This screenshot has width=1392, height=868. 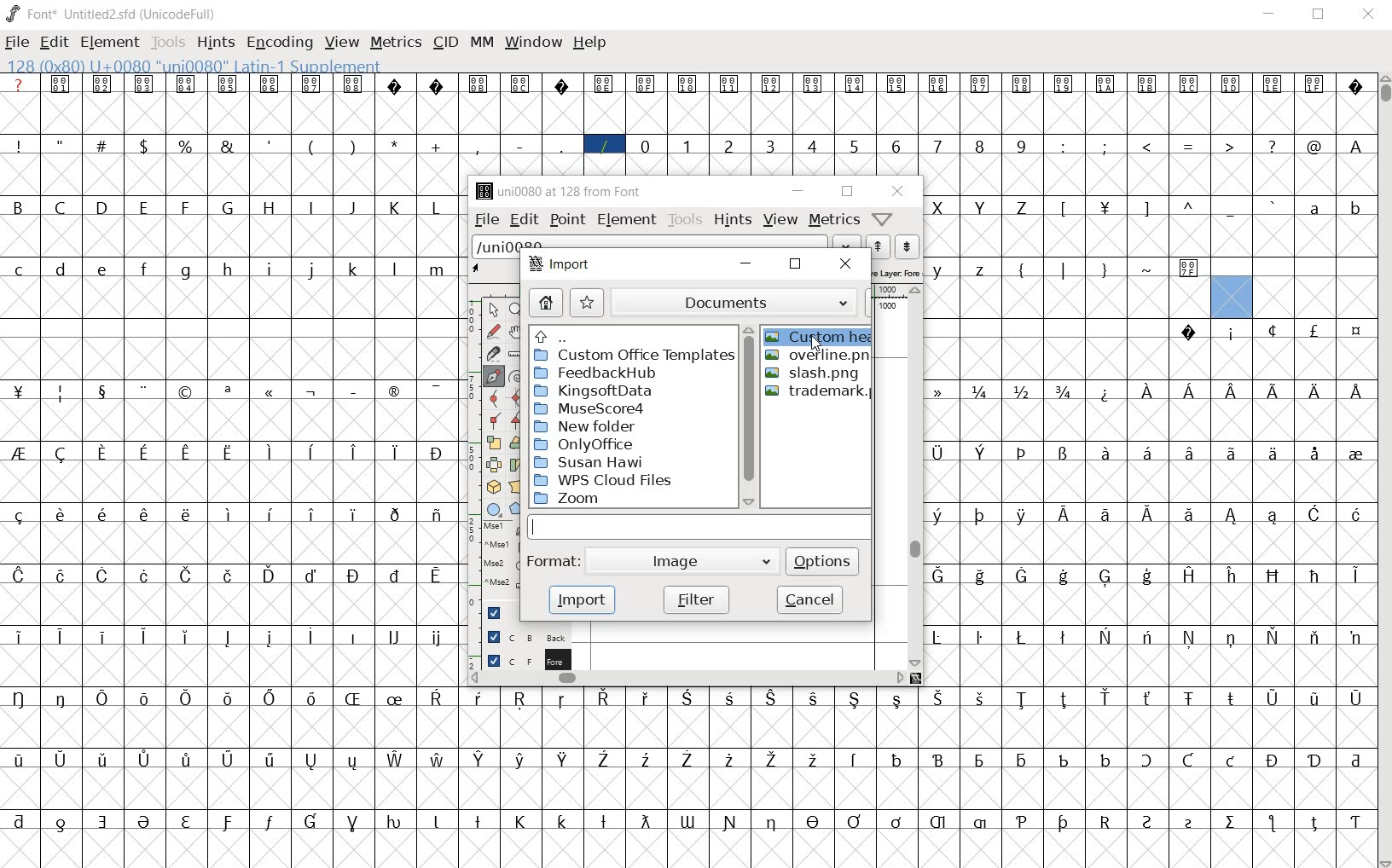 I want to click on glyph, so click(x=143, y=207).